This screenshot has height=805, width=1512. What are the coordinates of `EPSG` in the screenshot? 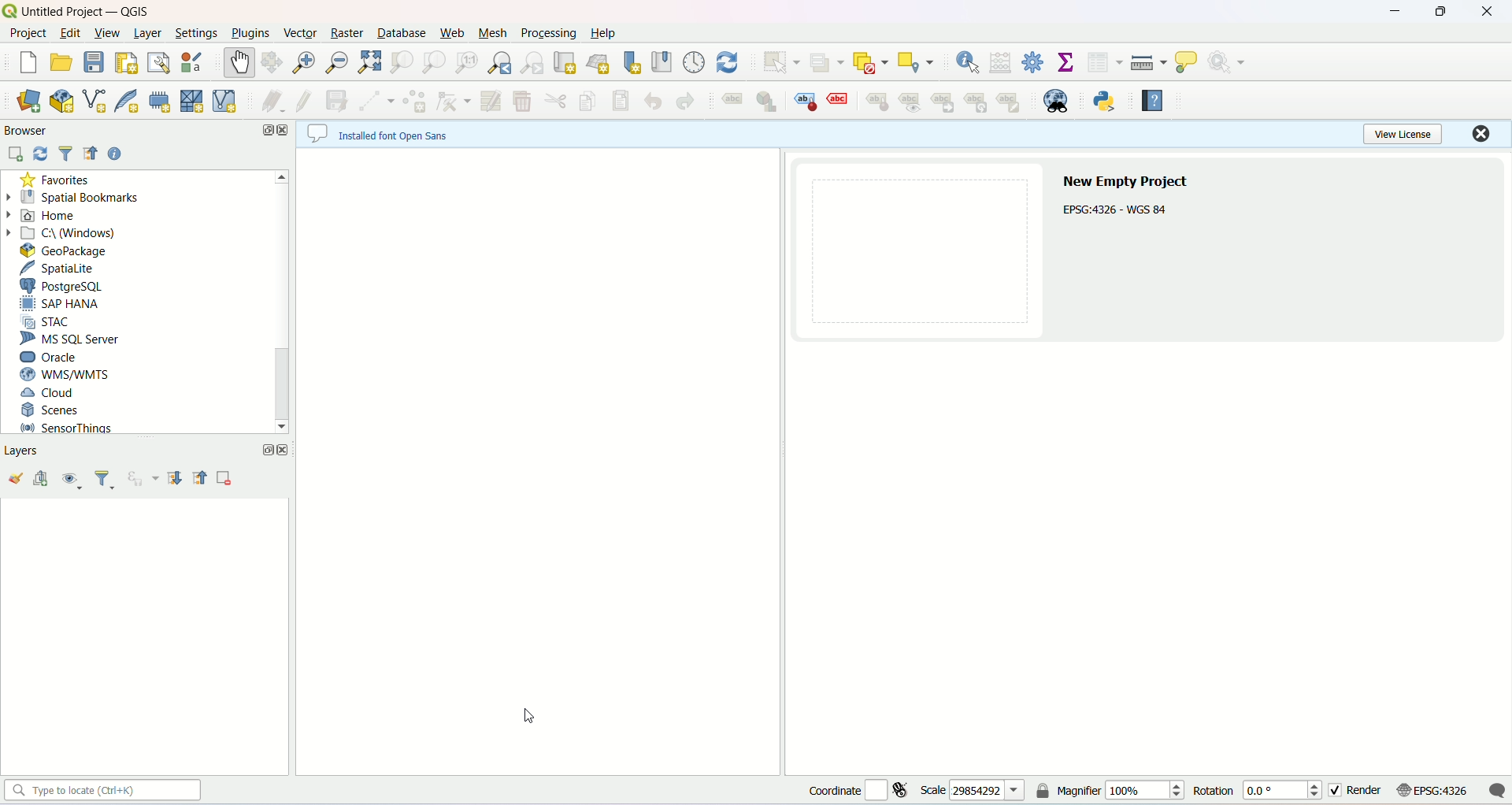 It's located at (1434, 792).